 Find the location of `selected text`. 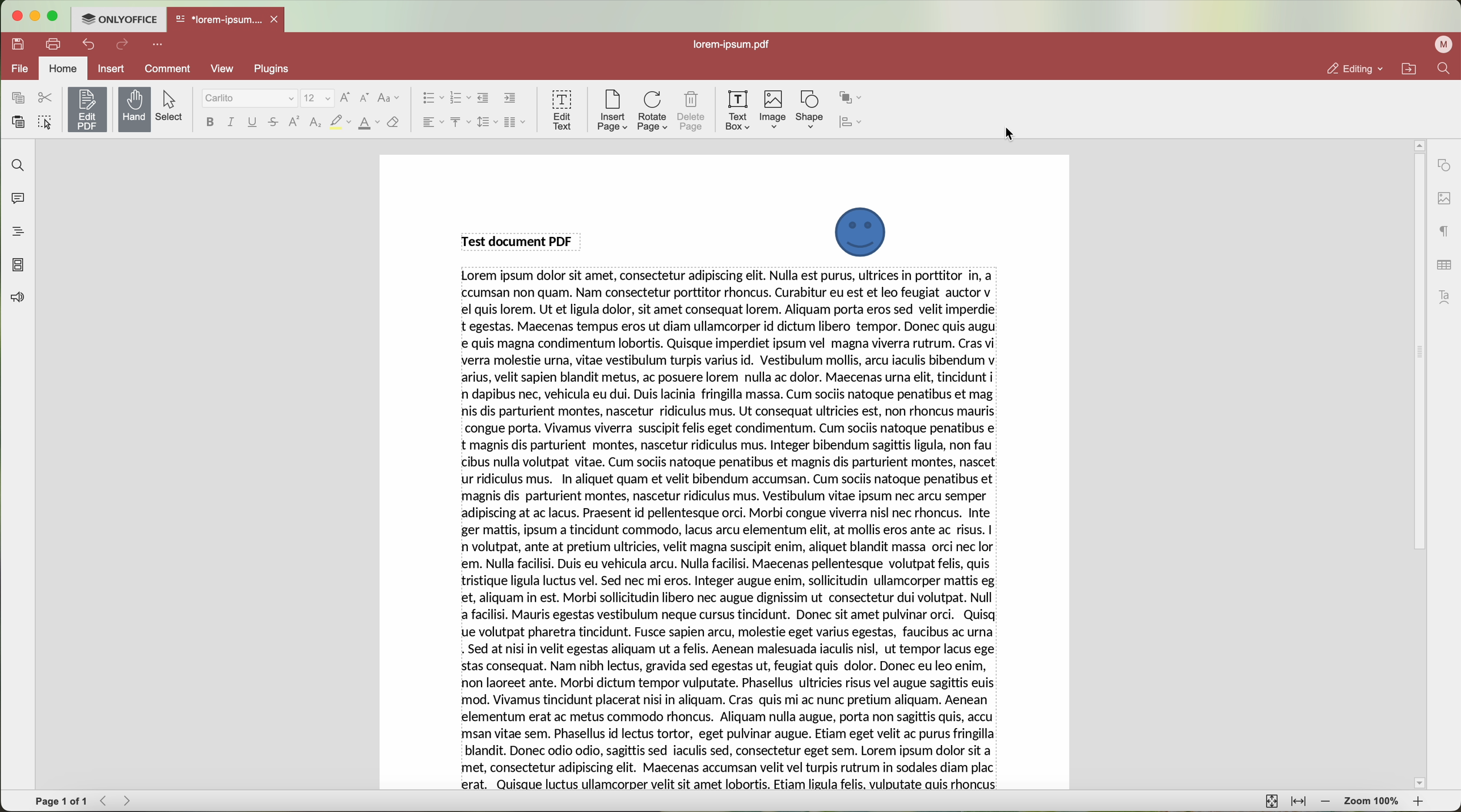

selected text is located at coordinates (730, 531).